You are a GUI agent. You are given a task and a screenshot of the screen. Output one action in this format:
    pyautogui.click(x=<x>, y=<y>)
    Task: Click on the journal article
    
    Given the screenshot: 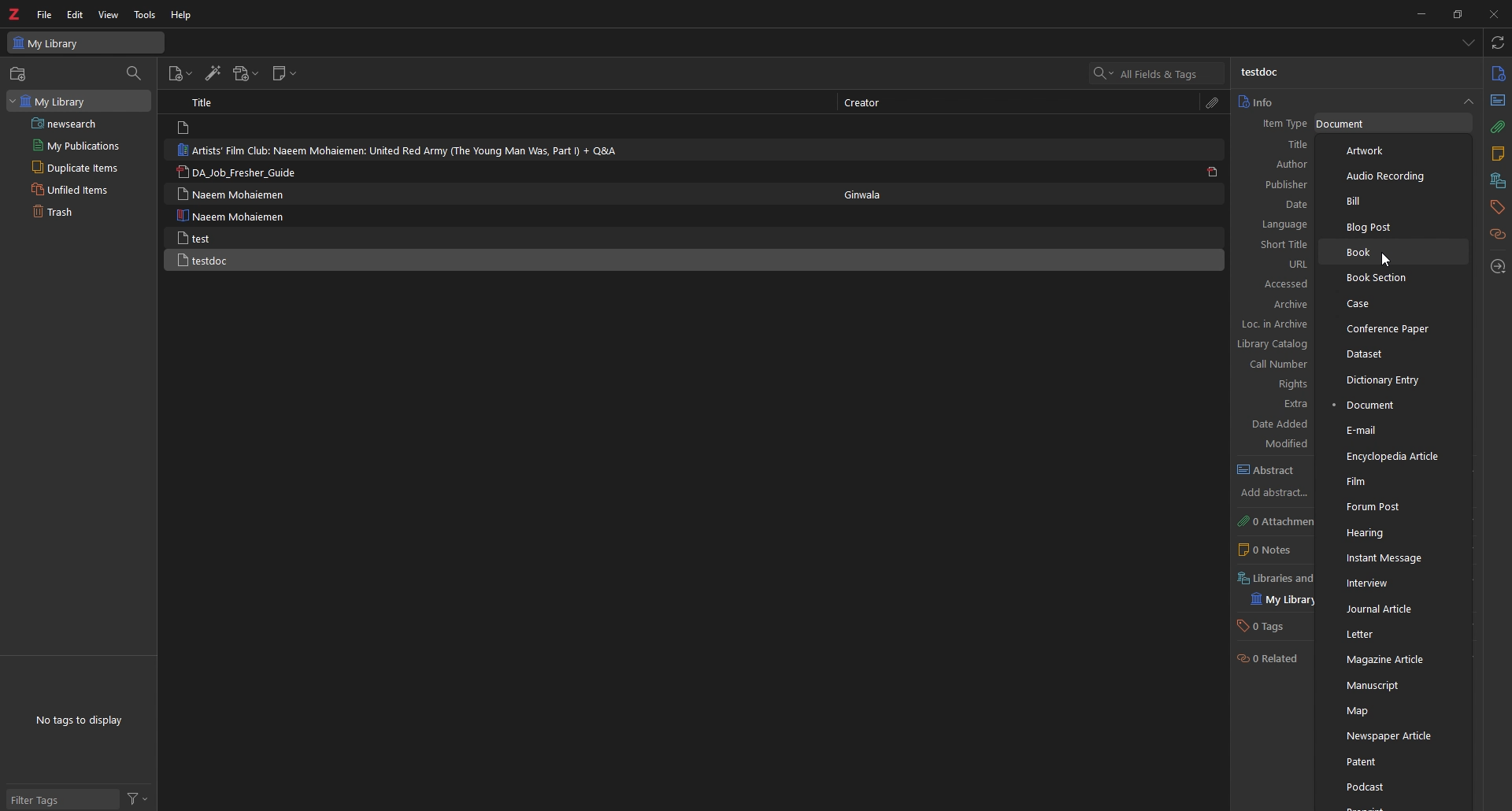 What is the action you would take?
    pyautogui.click(x=1399, y=610)
    